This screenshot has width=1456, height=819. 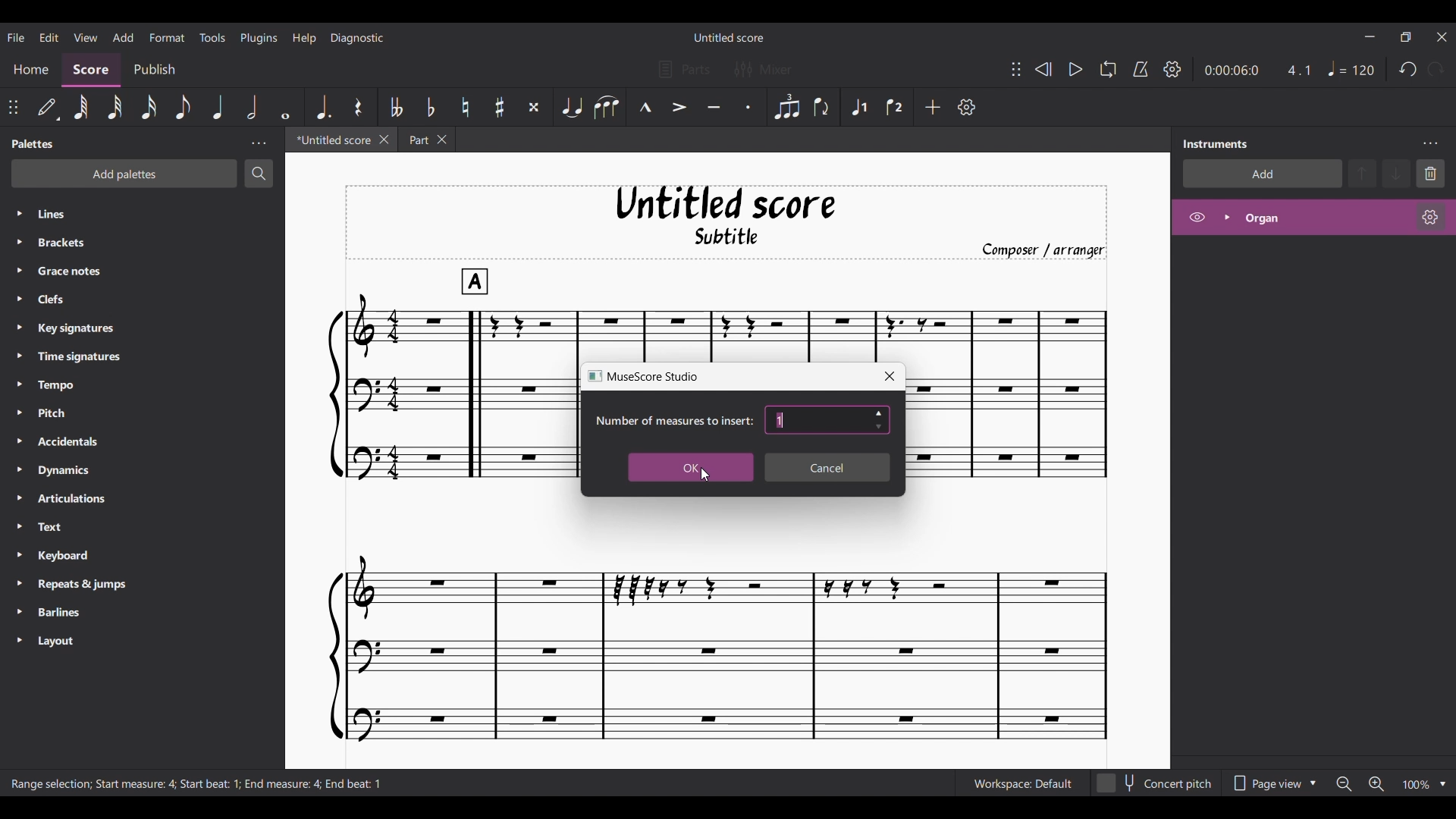 I want to click on 16th note, so click(x=149, y=107).